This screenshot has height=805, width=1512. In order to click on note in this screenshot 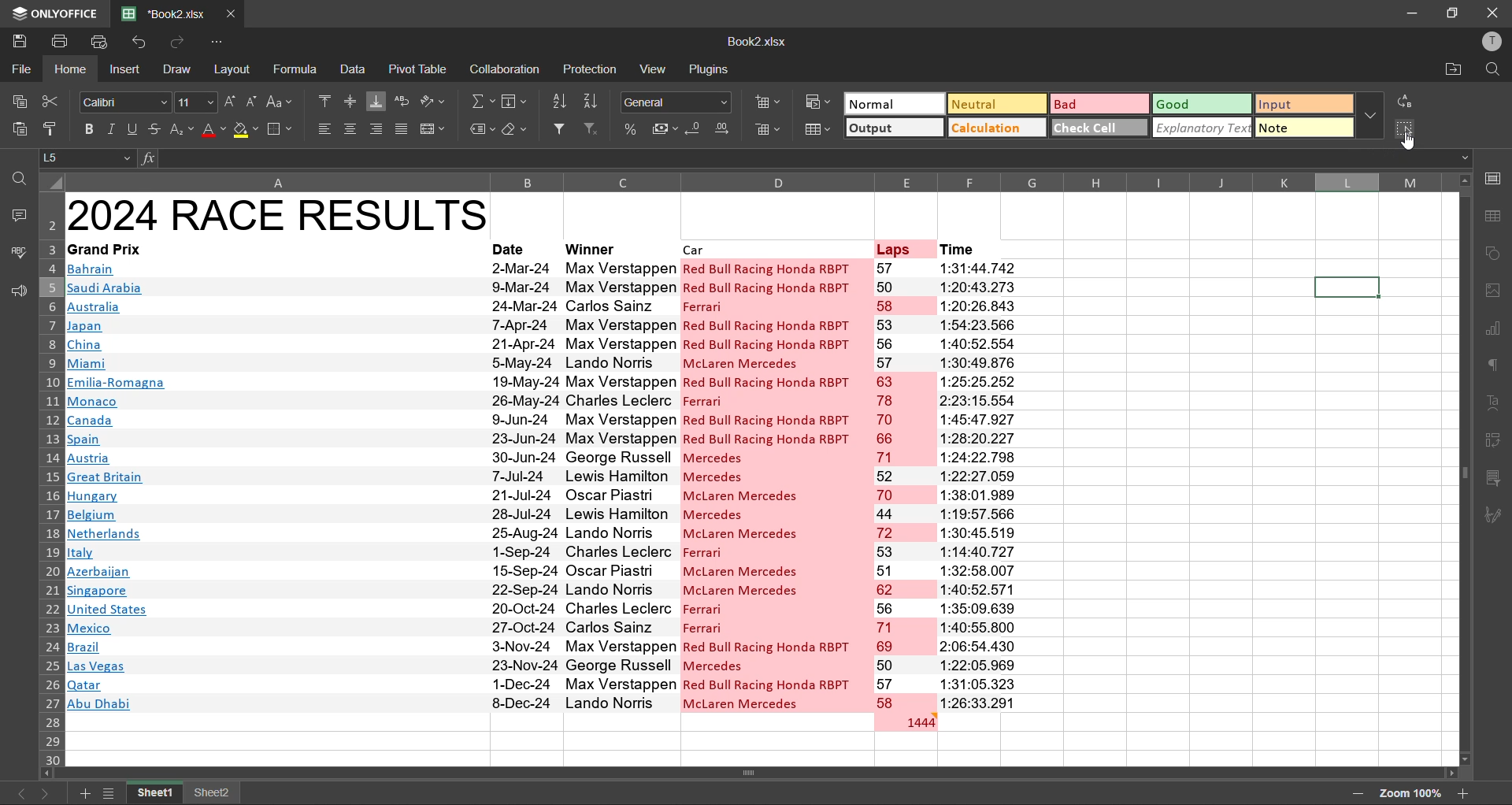, I will do `click(1296, 126)`.